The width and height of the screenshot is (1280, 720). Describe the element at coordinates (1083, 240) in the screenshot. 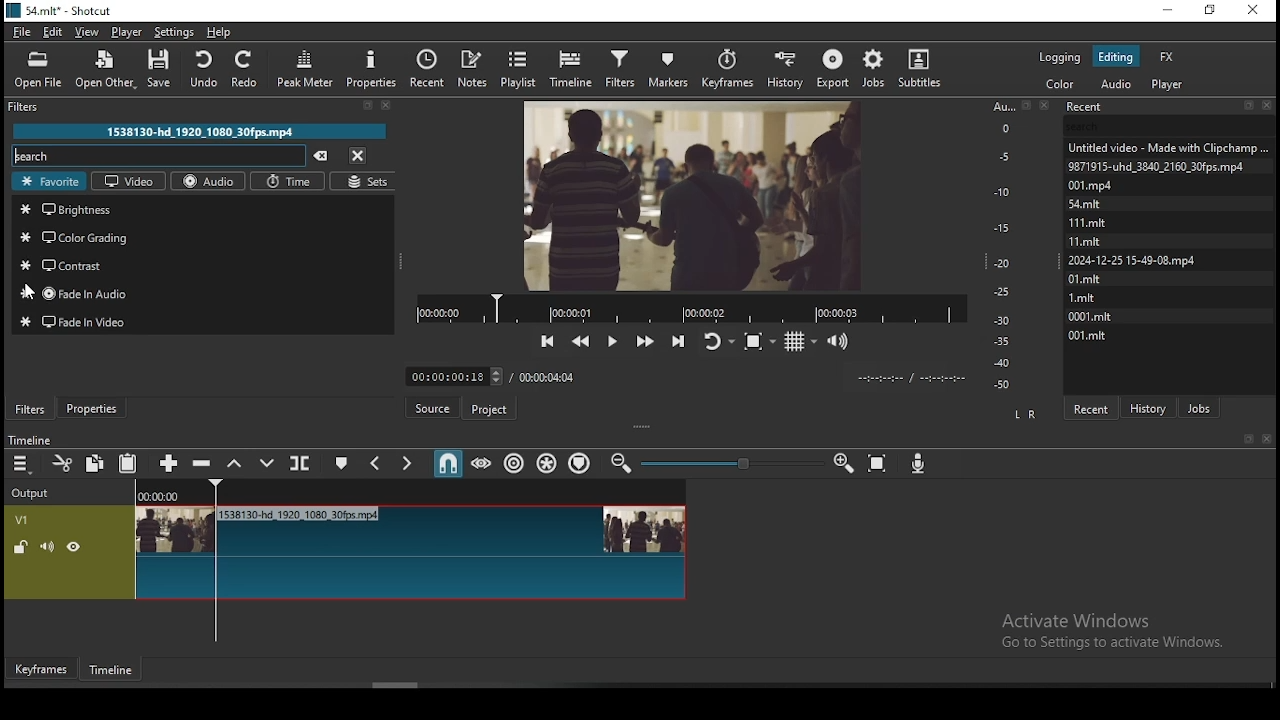

I see `11.mit` at that location.